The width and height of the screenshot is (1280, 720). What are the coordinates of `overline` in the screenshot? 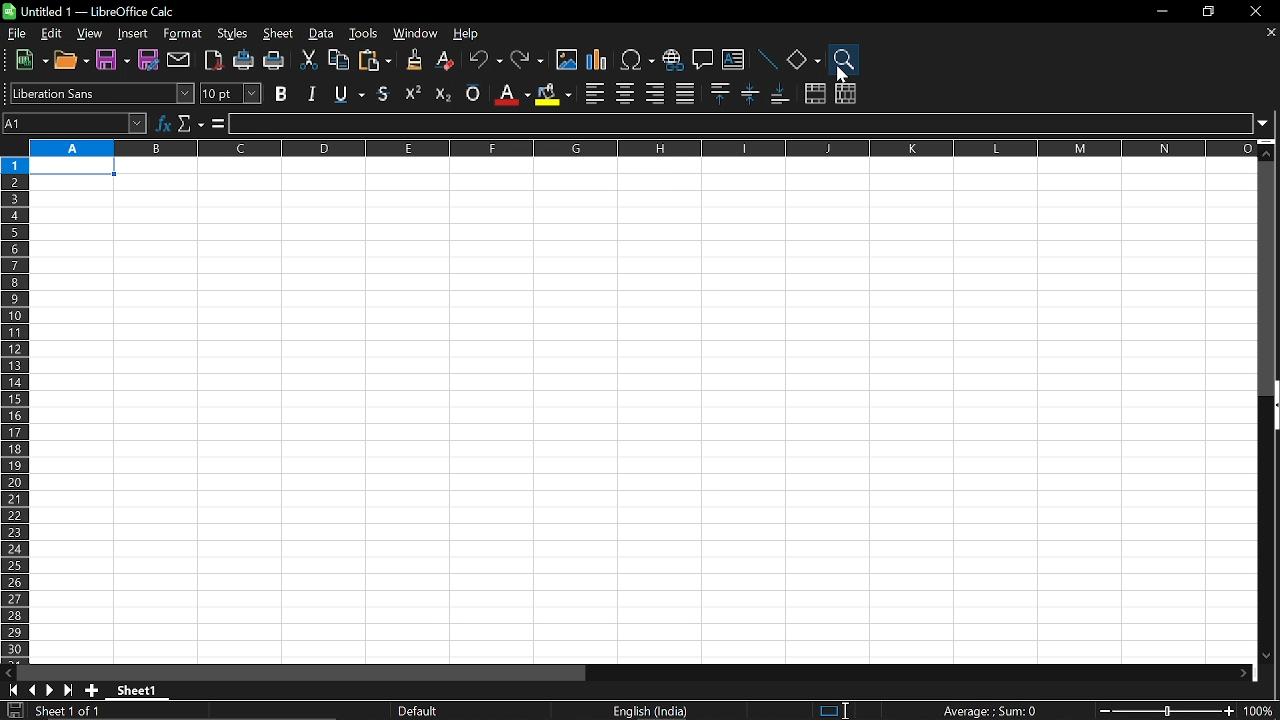 It's located at (473, 91).